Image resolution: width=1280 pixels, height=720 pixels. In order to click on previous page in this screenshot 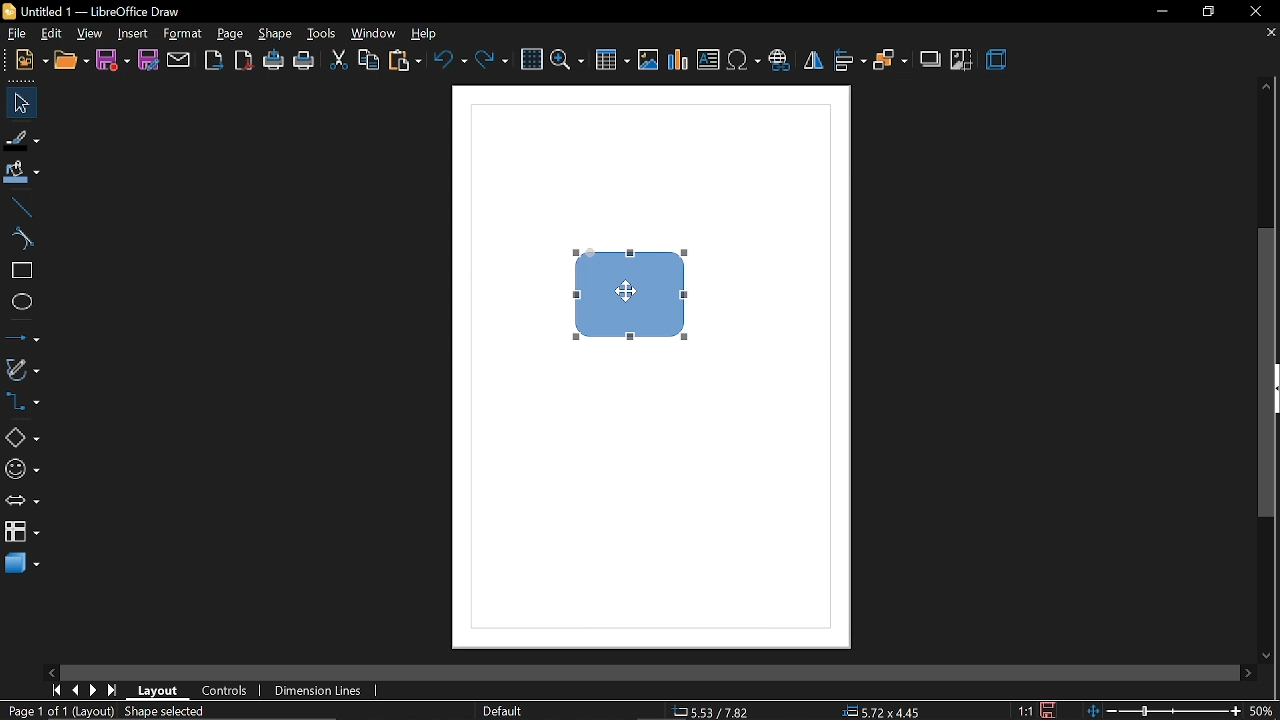, I will do `click(73, 691)`.